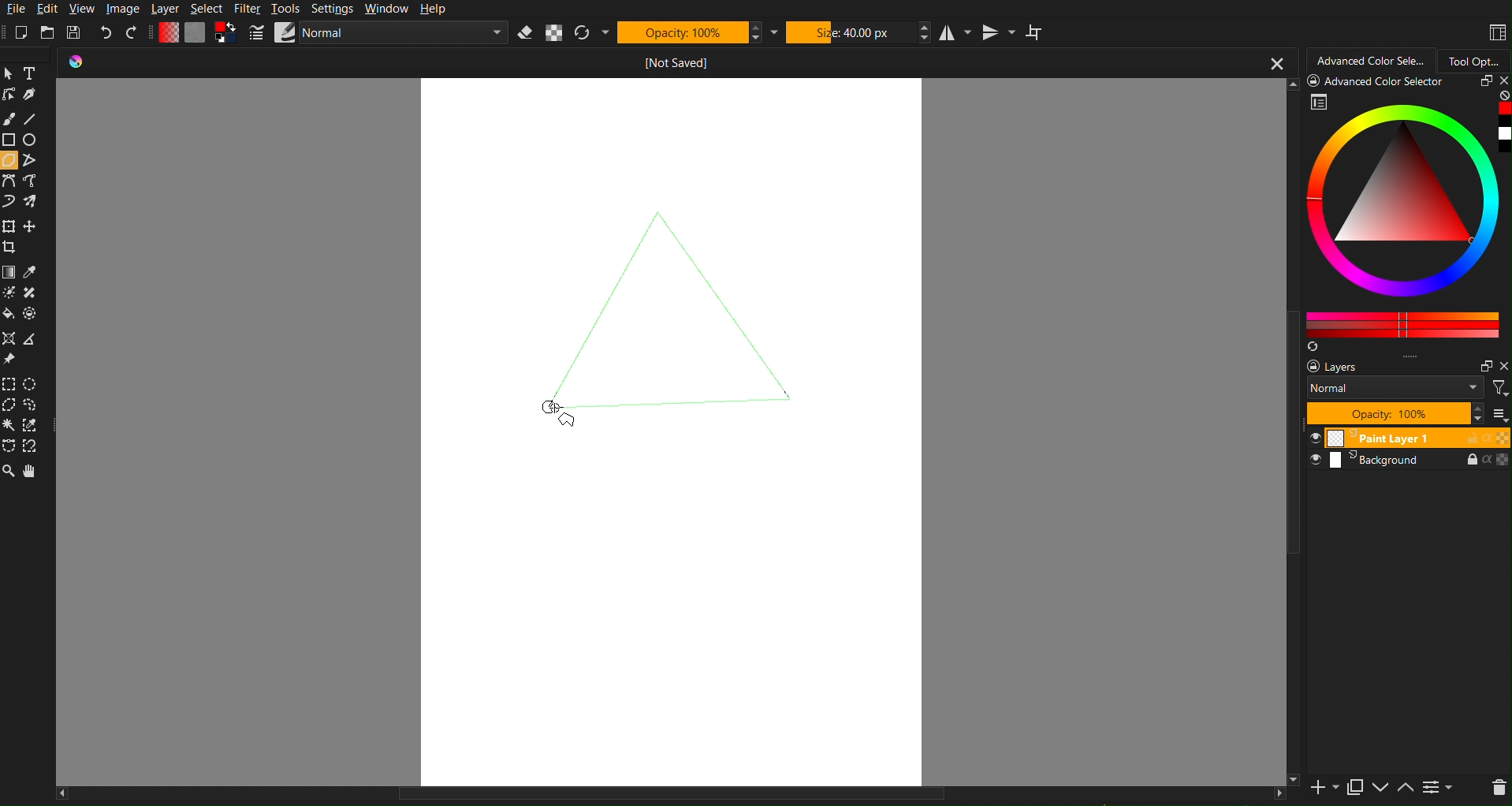 This screenshot has height=806, width=1512. What do you see at coordinates (378, 34) in the screenshot?
I see `Brush Settings` at bounding box center [378, 34].